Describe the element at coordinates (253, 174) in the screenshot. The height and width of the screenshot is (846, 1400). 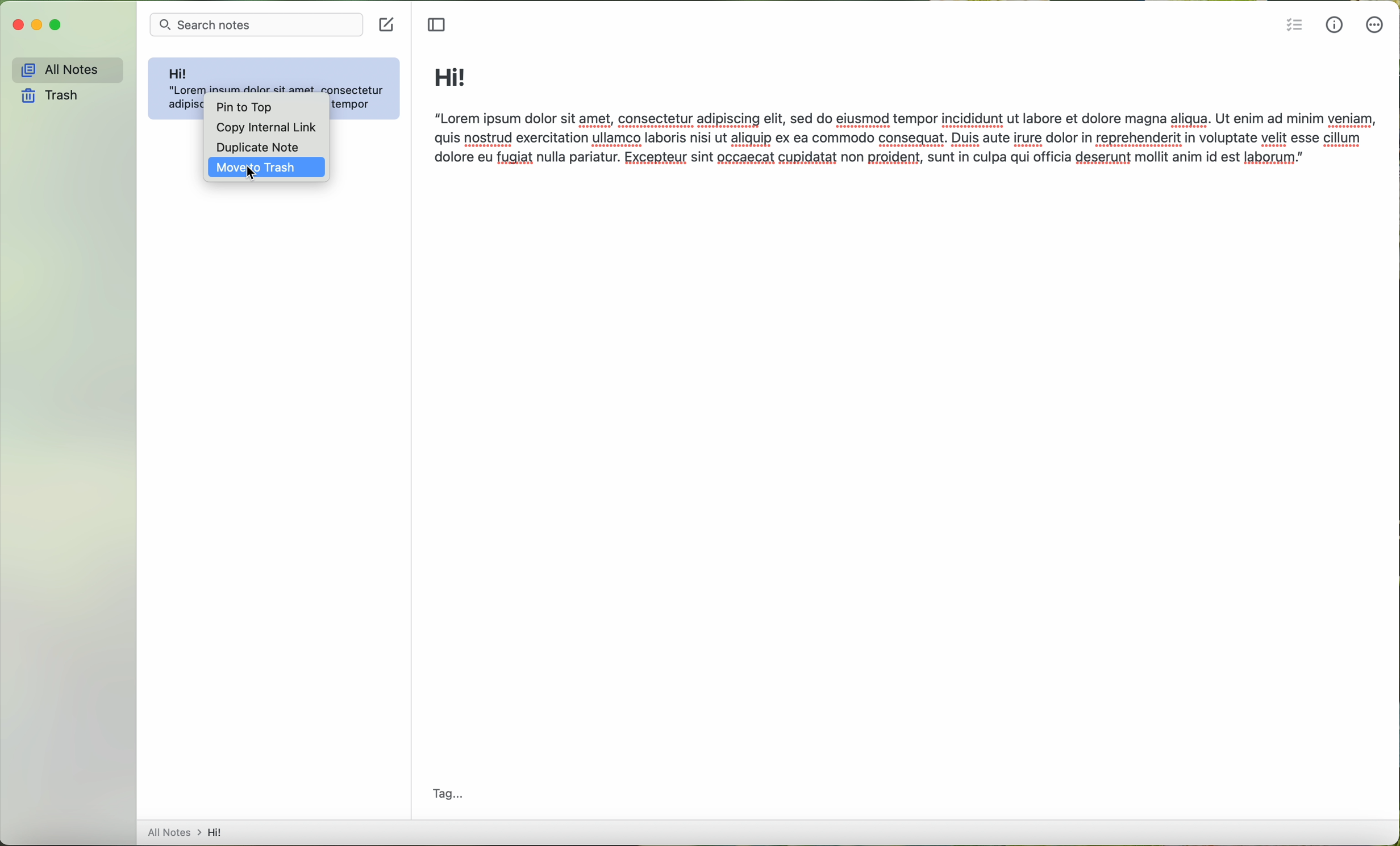
I see `cursor` at that location.